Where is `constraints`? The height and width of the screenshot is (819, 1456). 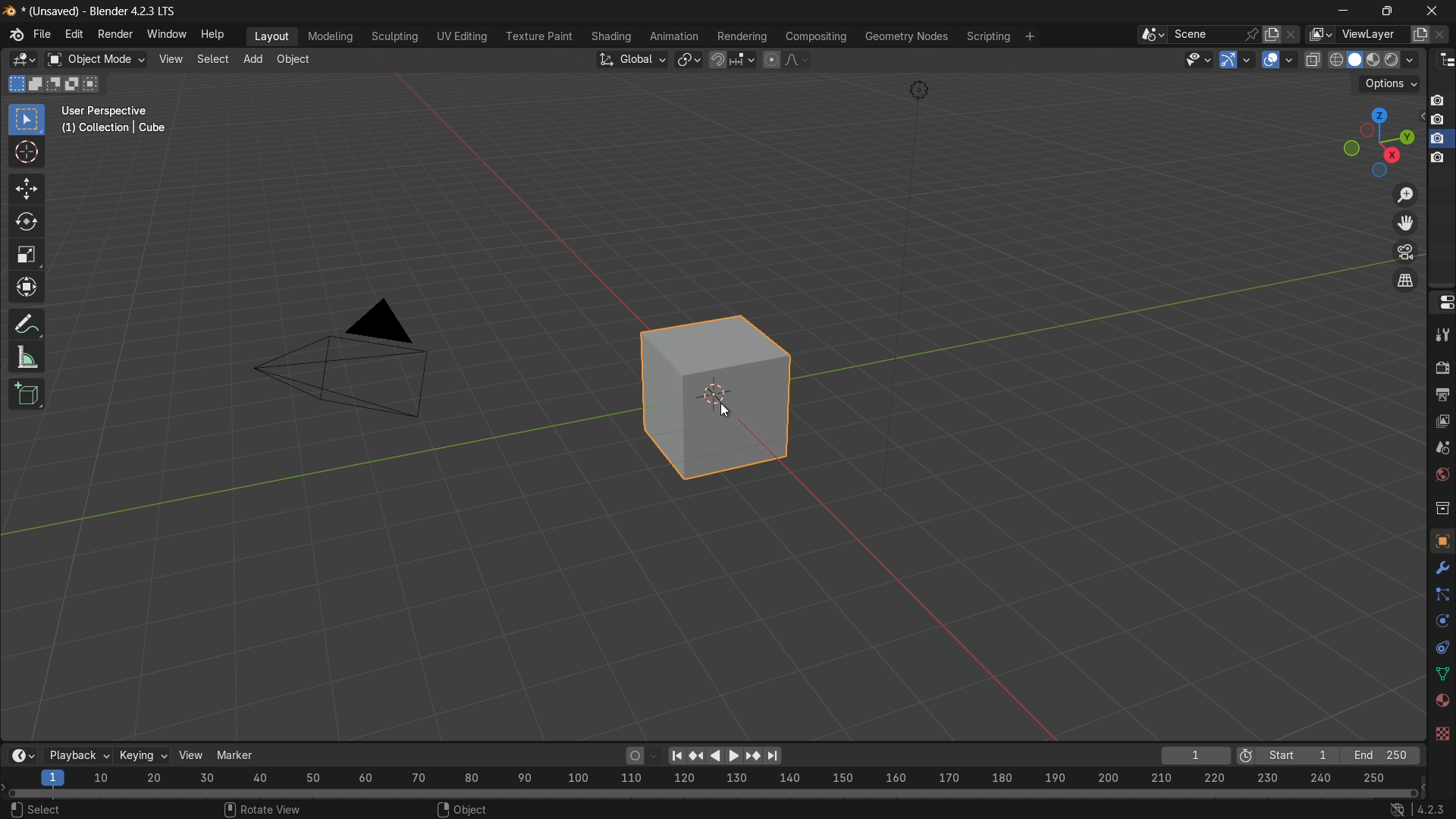
constraints is located at coordinates (1442, 648).